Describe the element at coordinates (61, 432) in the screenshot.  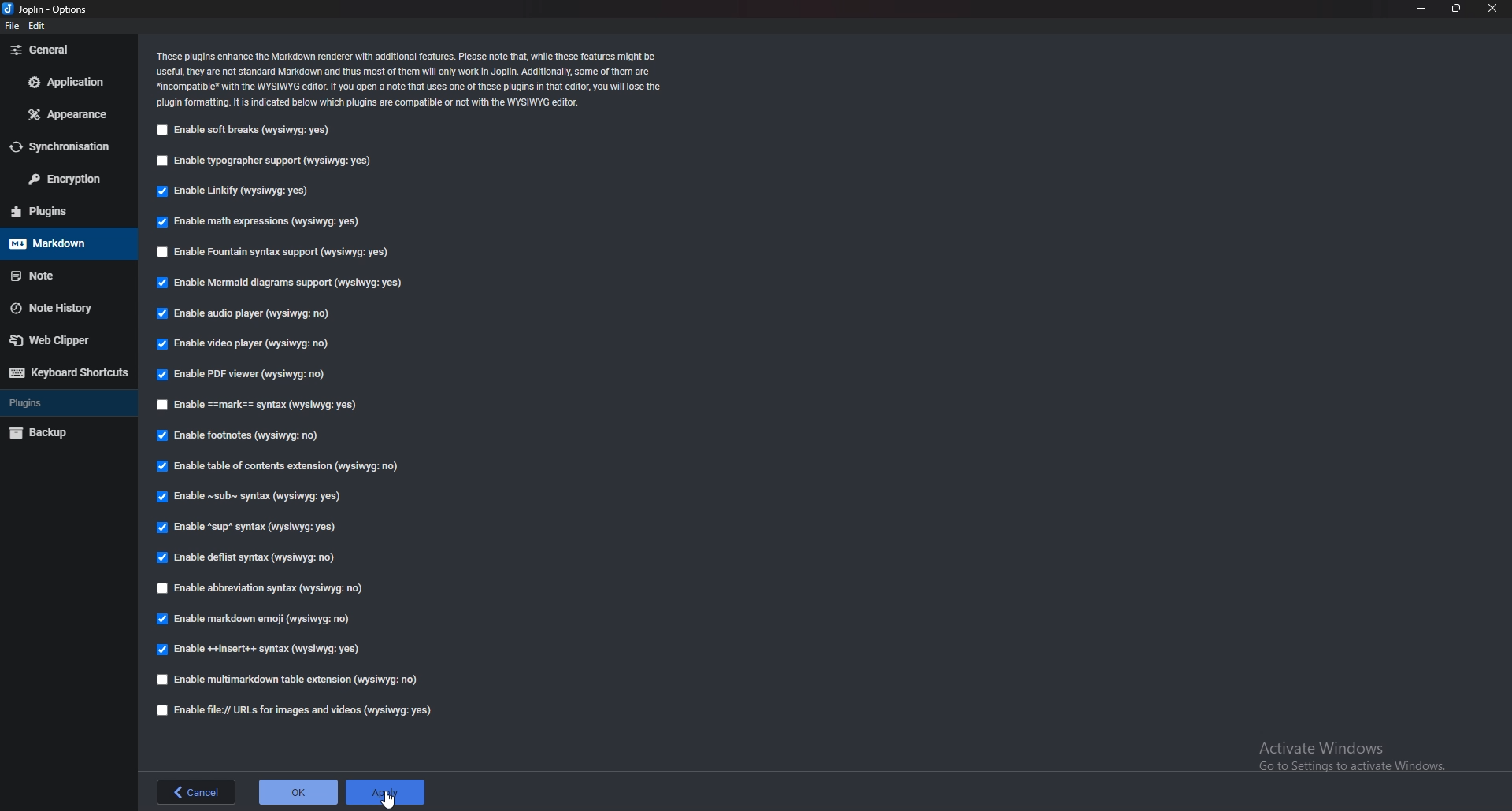
I see `Back up` at that location.